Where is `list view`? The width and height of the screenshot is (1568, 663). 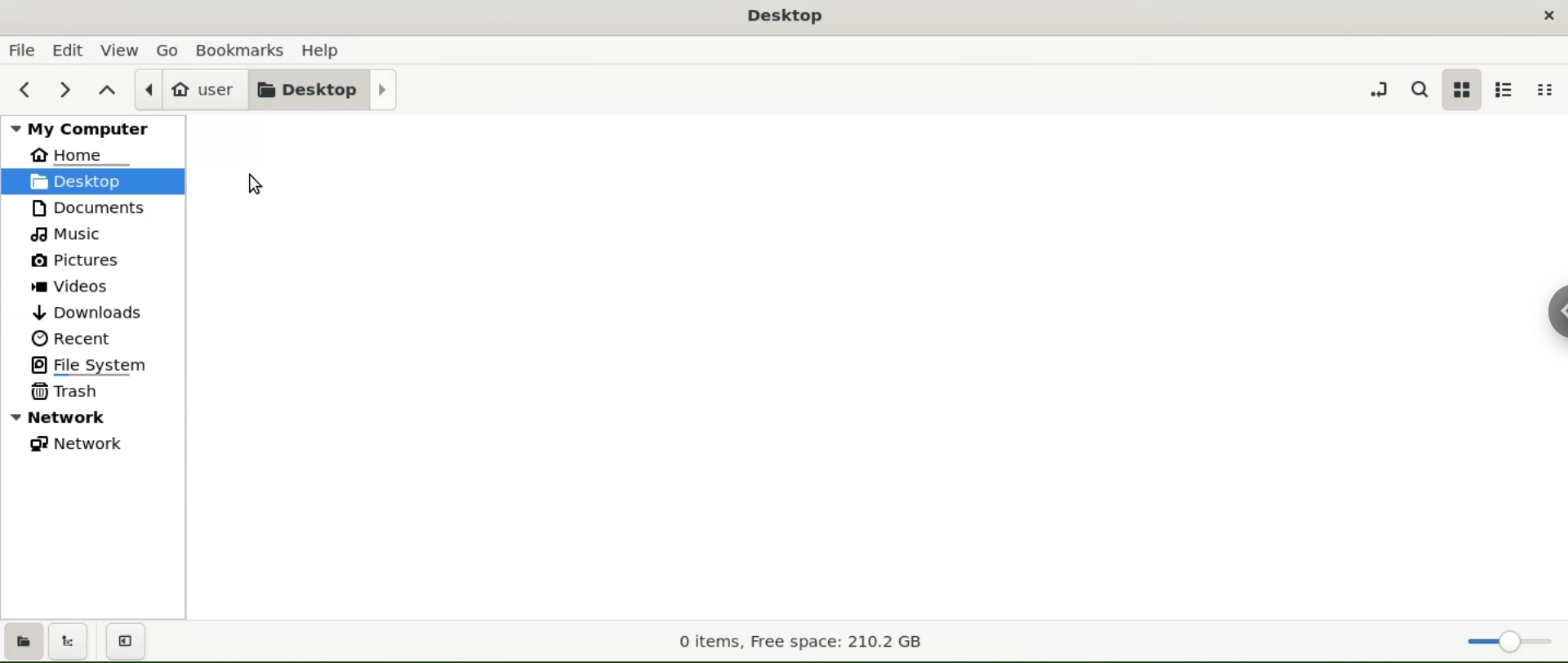 list view is located at coordinates (1506, 90).